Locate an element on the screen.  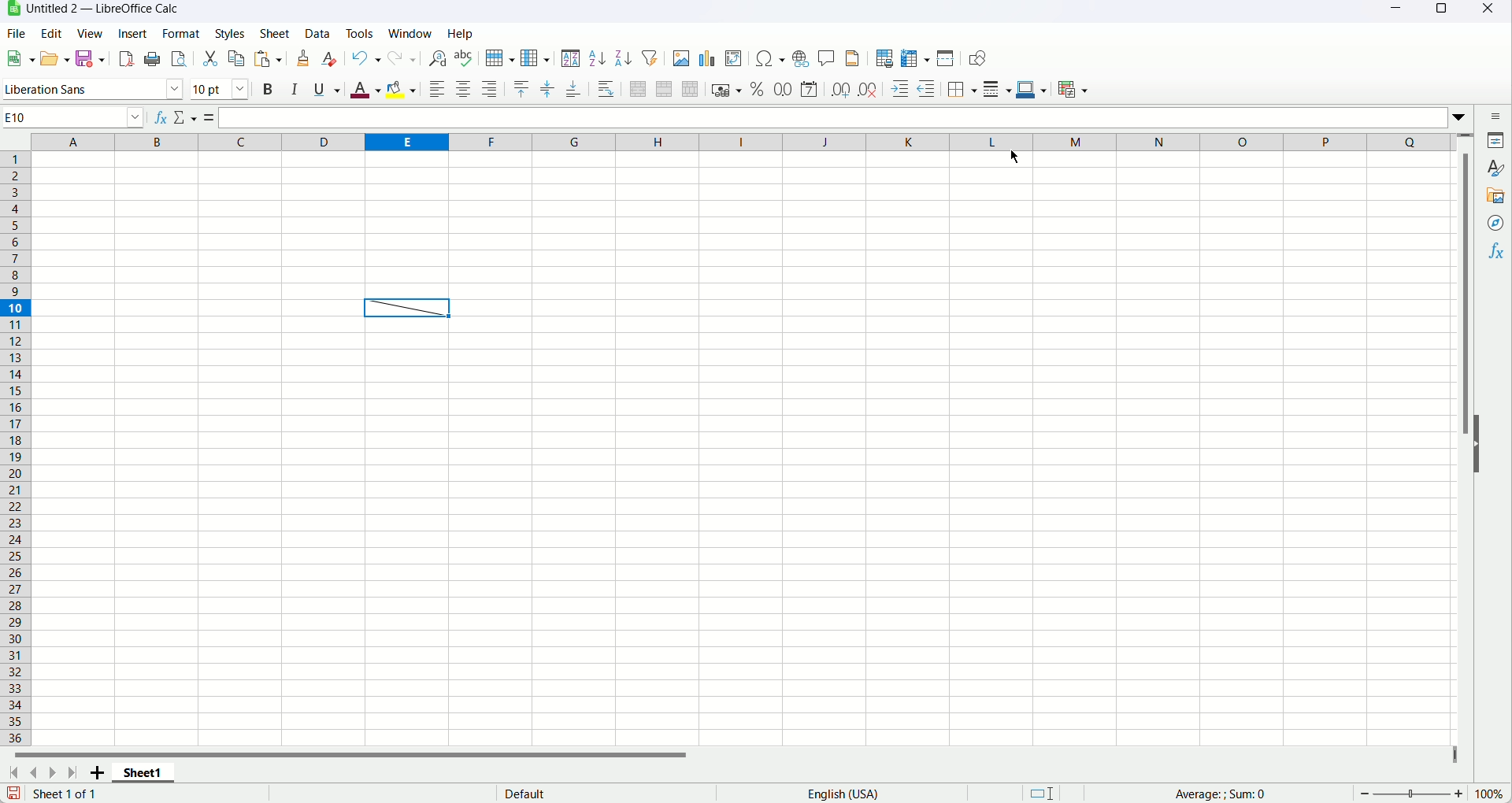
Italic is located at coordinates (295, 89).